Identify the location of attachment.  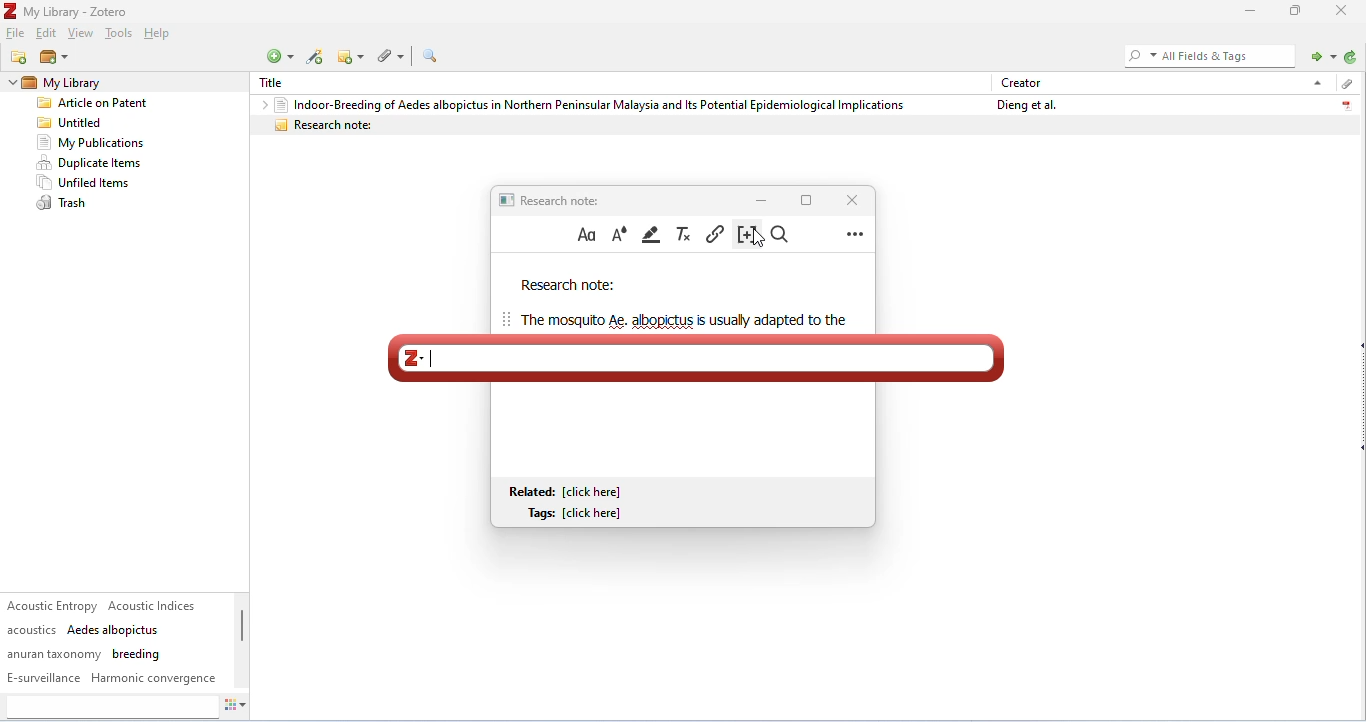
(1345, 84).